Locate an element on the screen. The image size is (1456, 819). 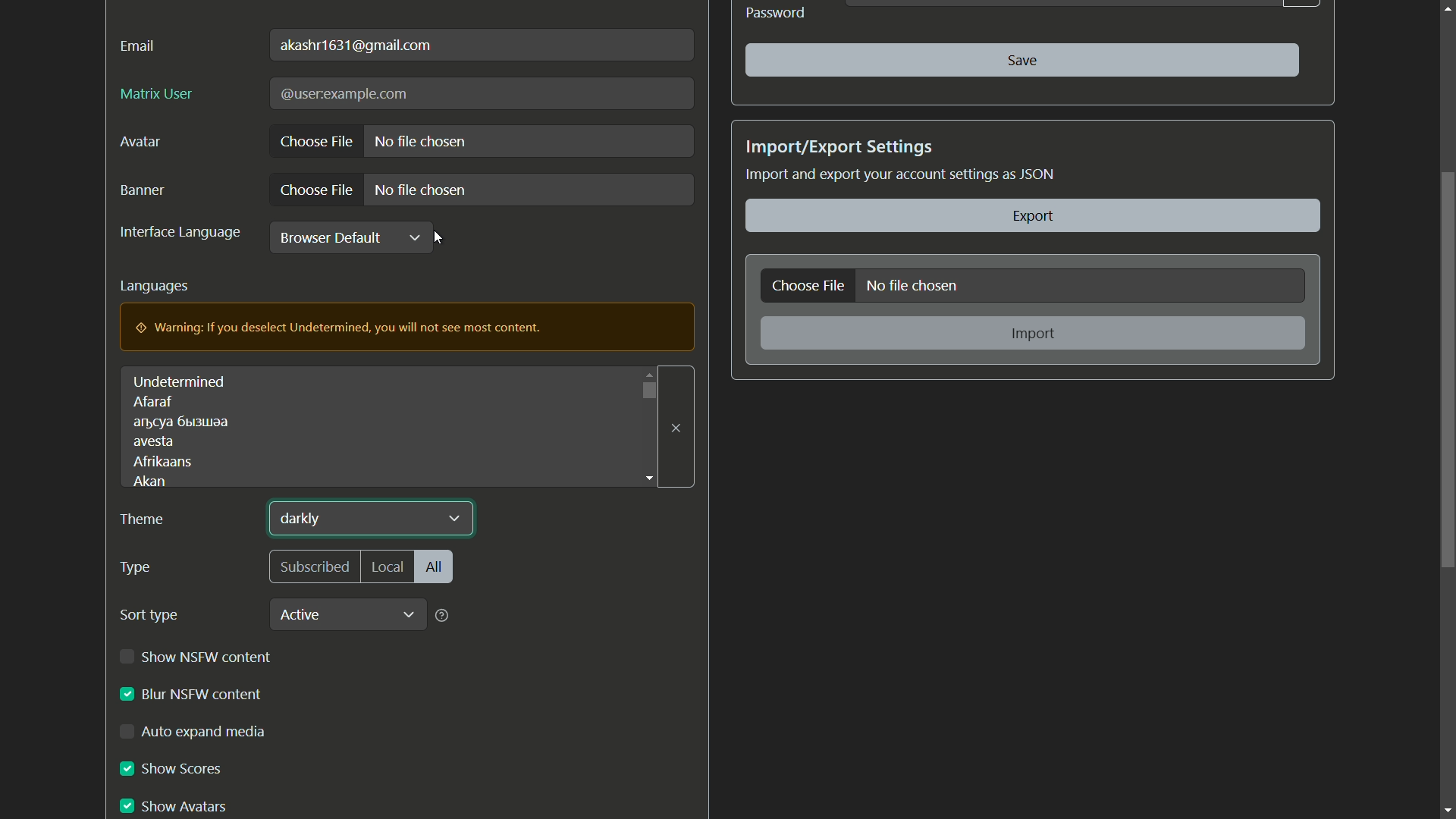
banner is located at coordinates (140, 190).